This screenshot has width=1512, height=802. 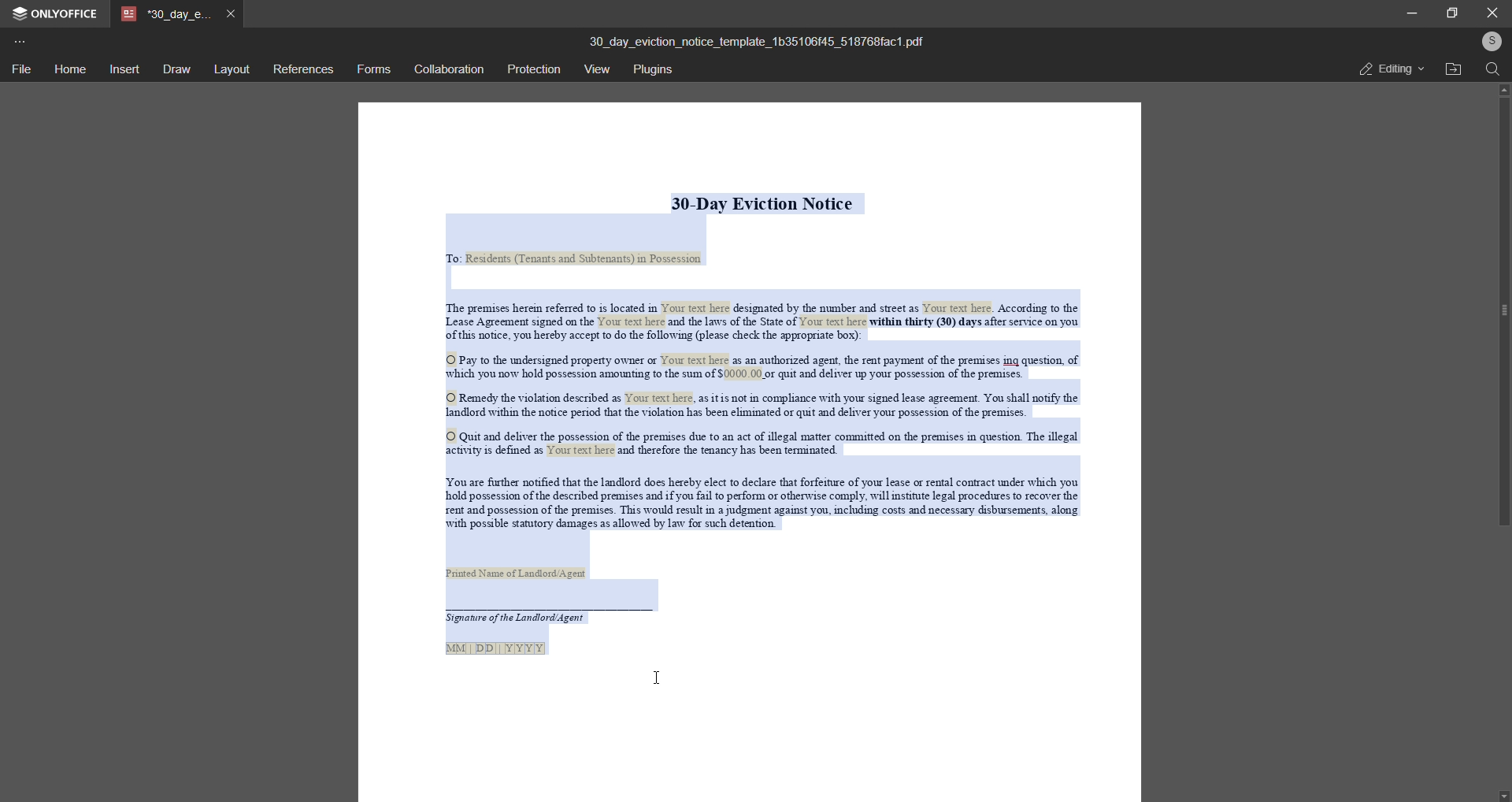 What do you see at coordinates (1490, 41) in the screenshot?
I see `user` at bounding box center [1490, 41].